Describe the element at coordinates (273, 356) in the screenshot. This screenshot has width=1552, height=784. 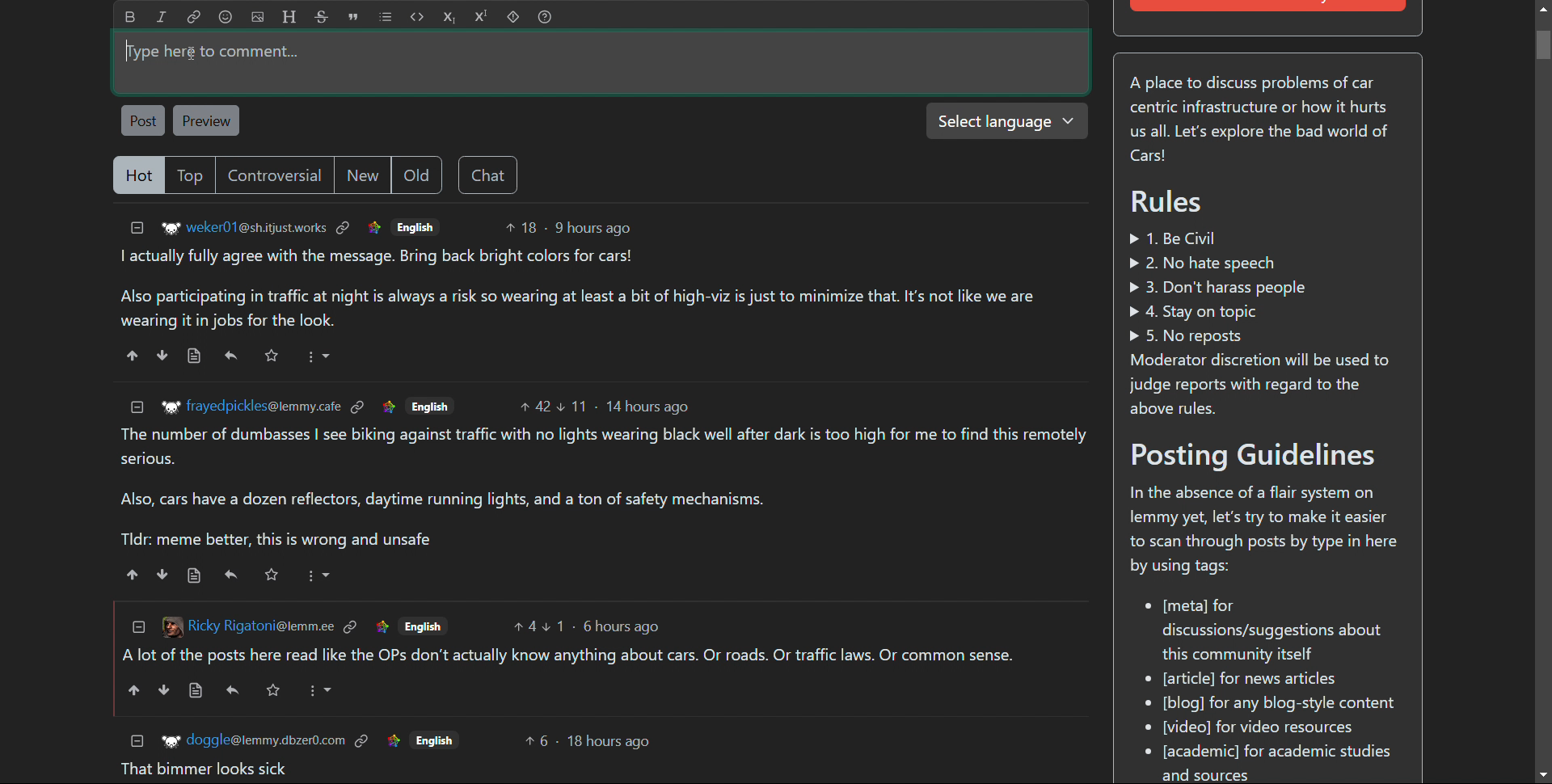
I see `Starred` at that location.